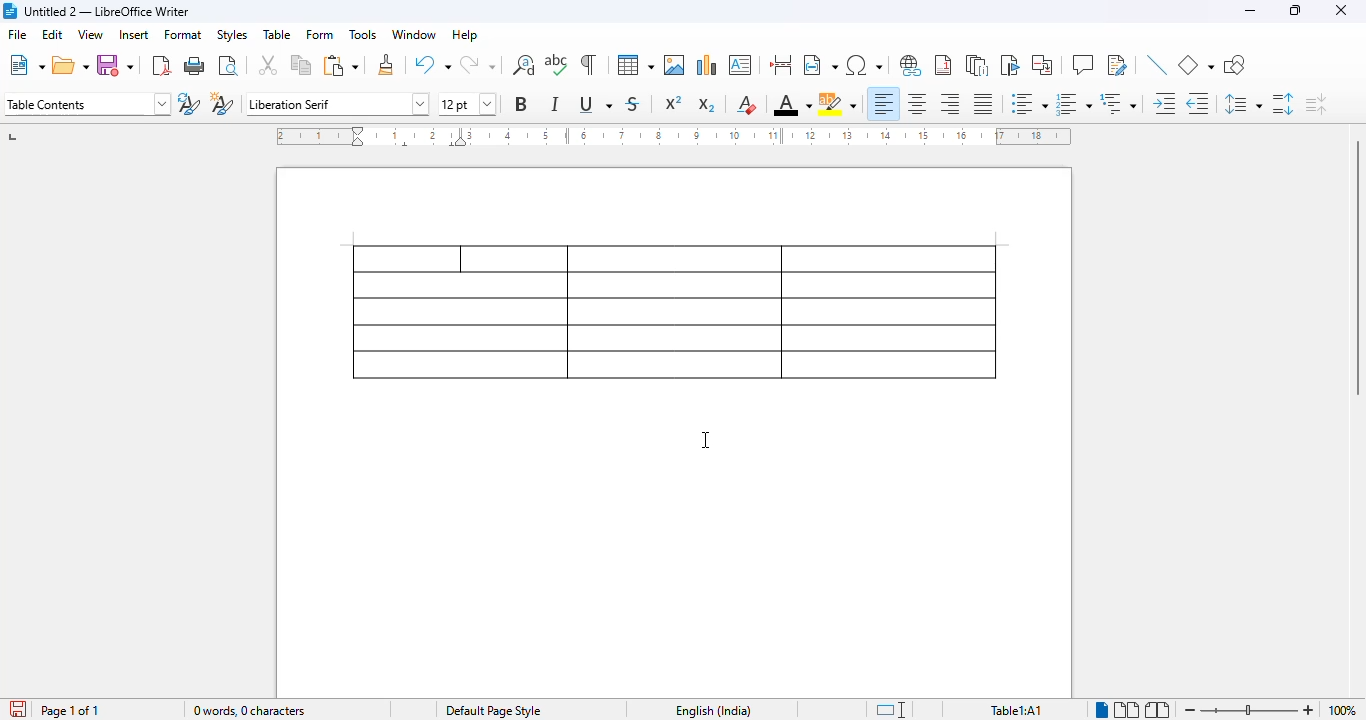 The width and height of the screenshot is (1366, 720). Describe the element at coordinates (633, 104) in the screenshot. I see `strikethrough` at that location.